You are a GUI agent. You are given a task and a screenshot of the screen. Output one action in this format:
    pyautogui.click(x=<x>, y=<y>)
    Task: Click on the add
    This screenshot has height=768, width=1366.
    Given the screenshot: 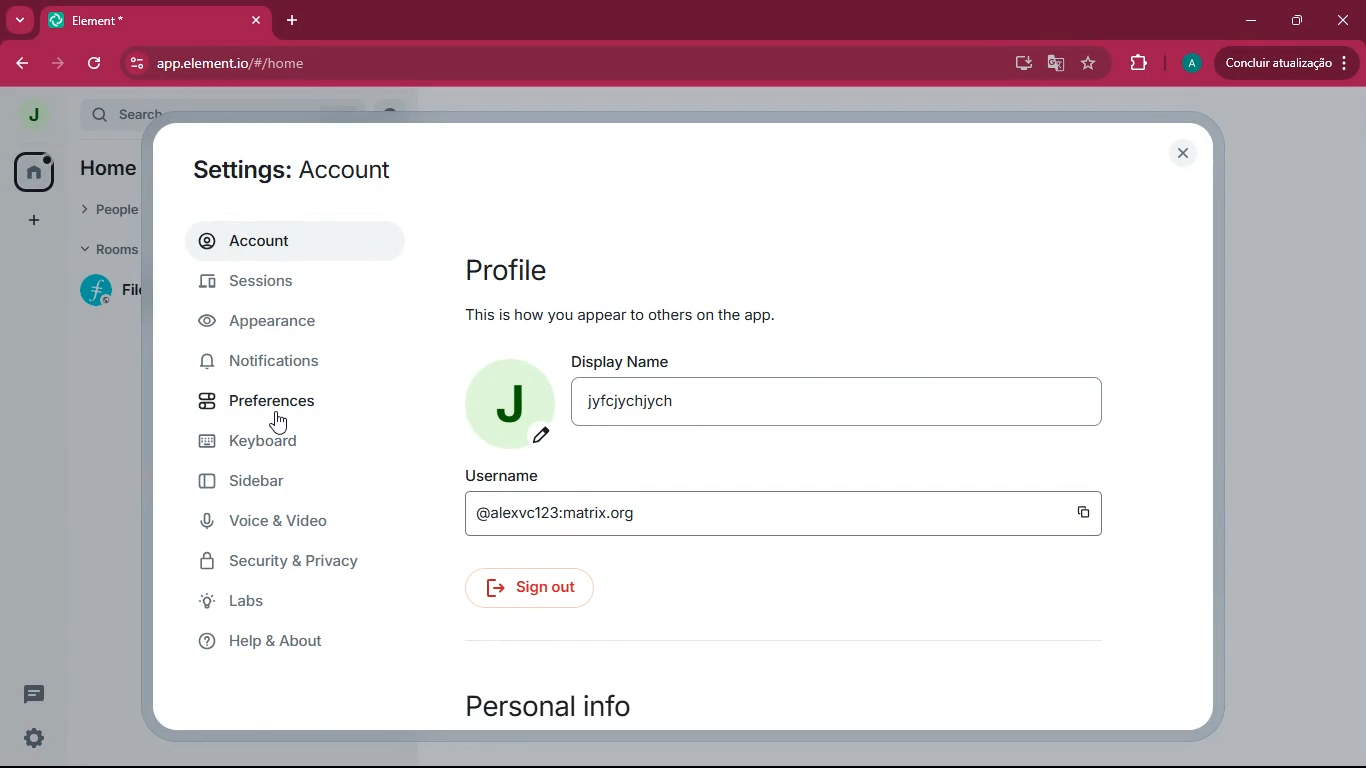 What is the action you would take?
    pyautogui.click(x=37, y=221)
    